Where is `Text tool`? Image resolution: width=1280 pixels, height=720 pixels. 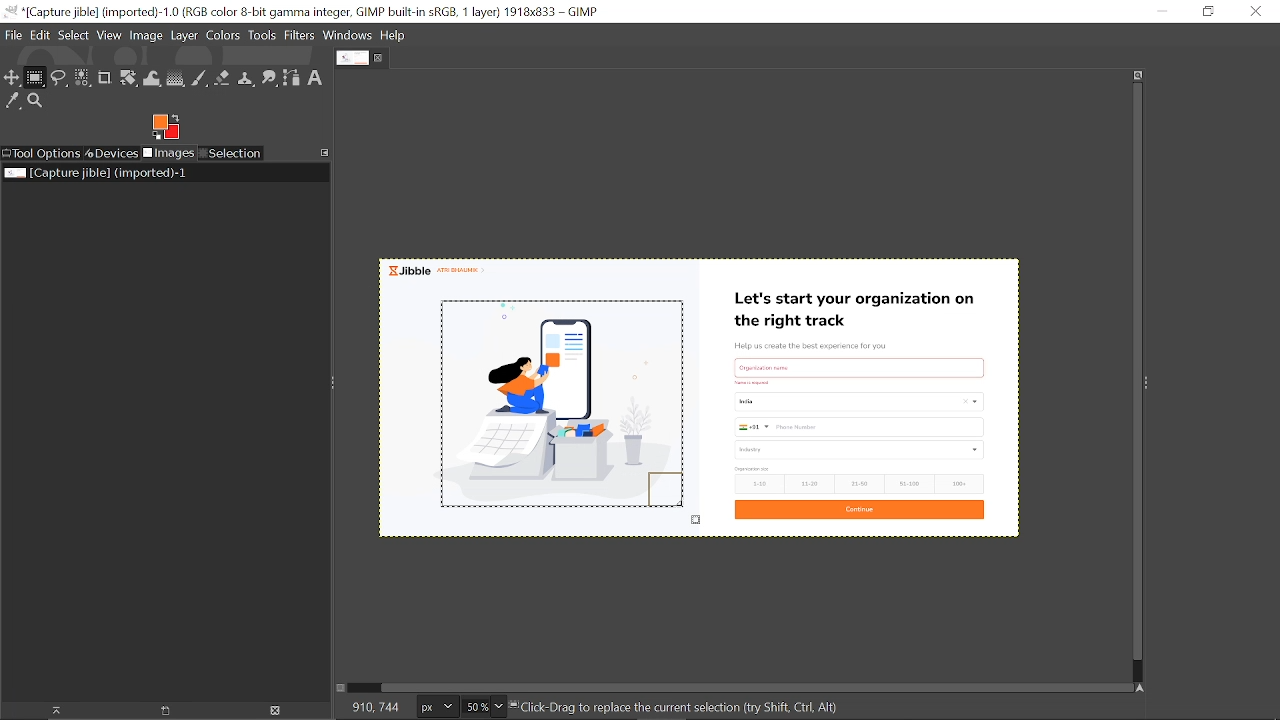 Text tool is located at coordinates (316, 77).